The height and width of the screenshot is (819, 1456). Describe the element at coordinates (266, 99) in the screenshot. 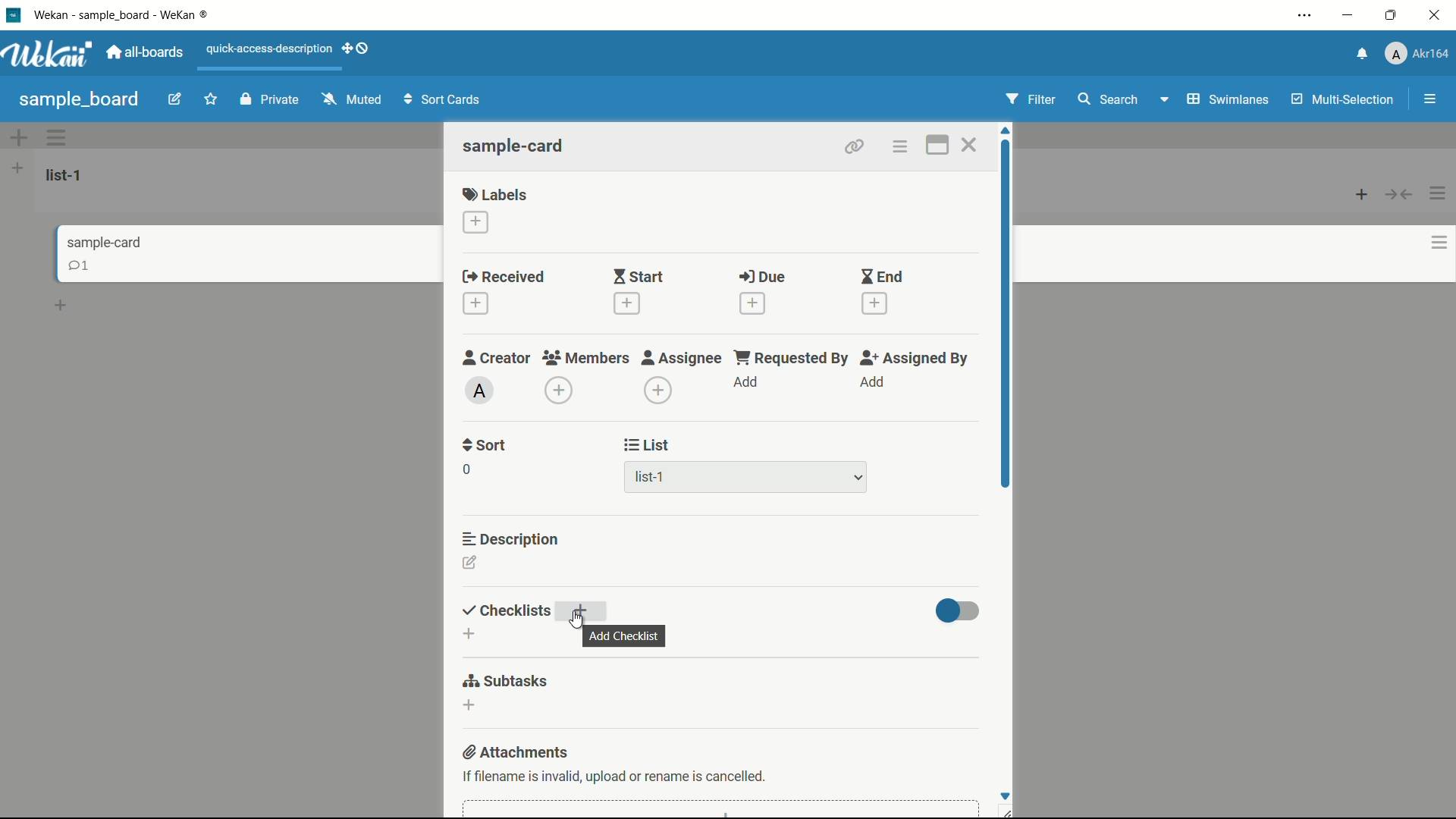

I see `Private` at that location.